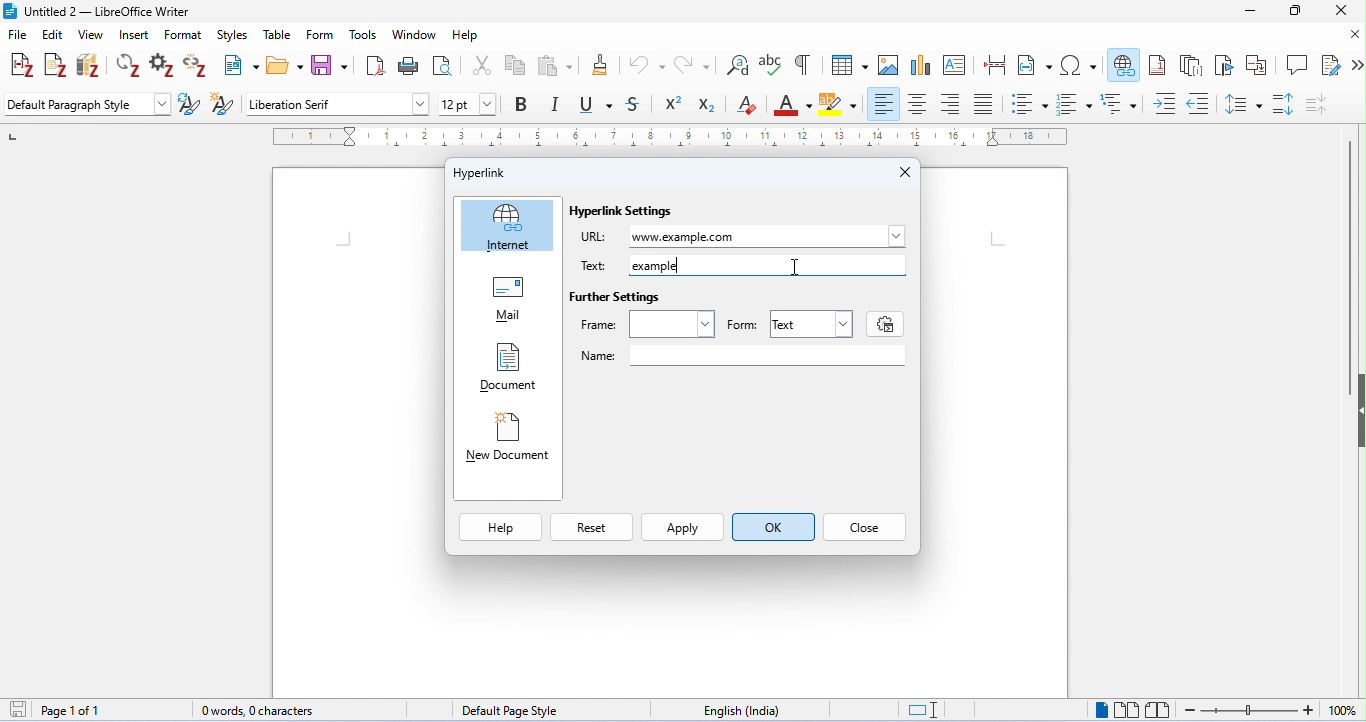 This screenshot has height=722, width=1366. Describe the element at coordinates (195, 67) in the screenshot. I see `unlink citations` at that location.